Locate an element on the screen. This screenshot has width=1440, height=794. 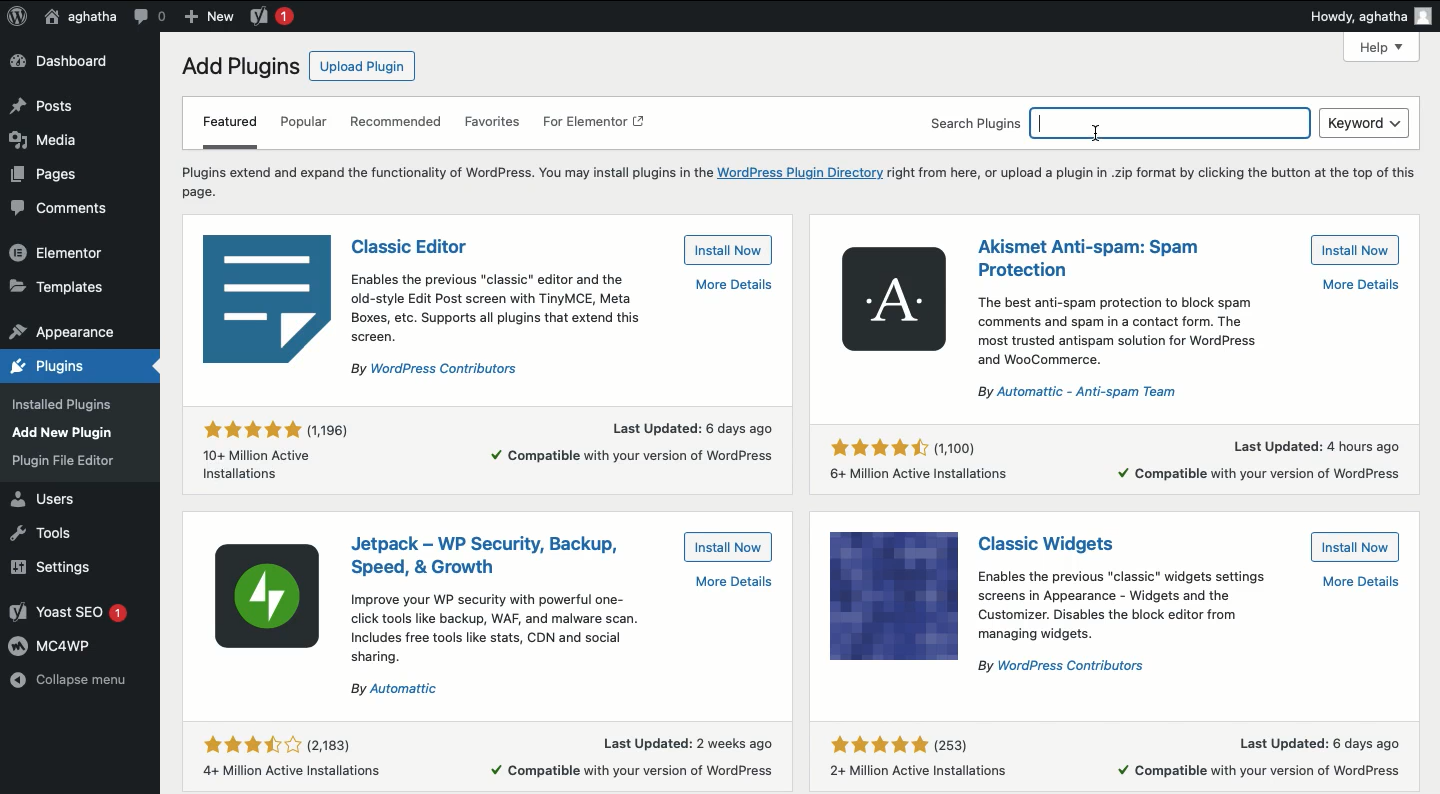
Install now is located at coordinates (1357, 250).